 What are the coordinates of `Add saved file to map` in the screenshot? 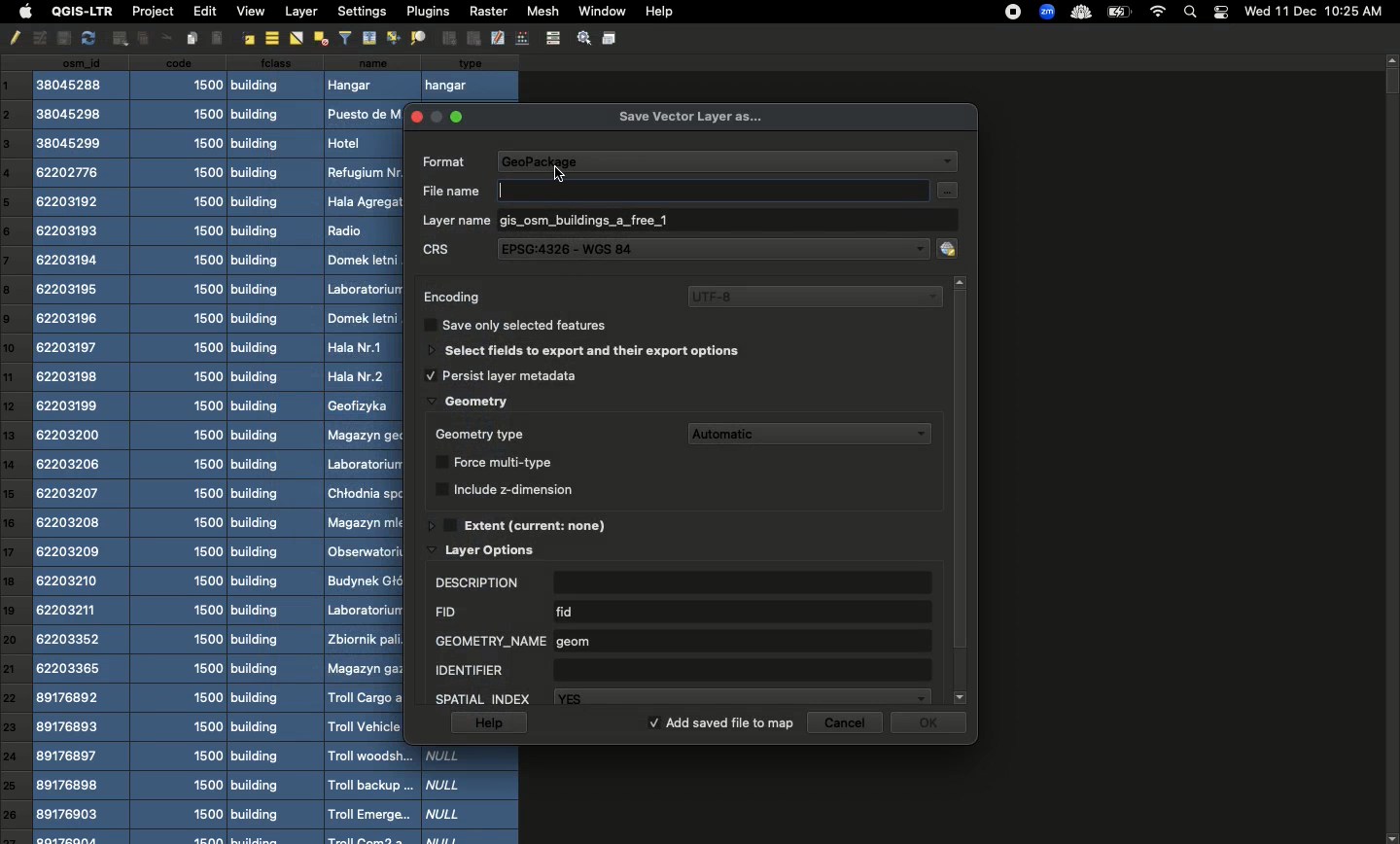 It's located at (722, 724).